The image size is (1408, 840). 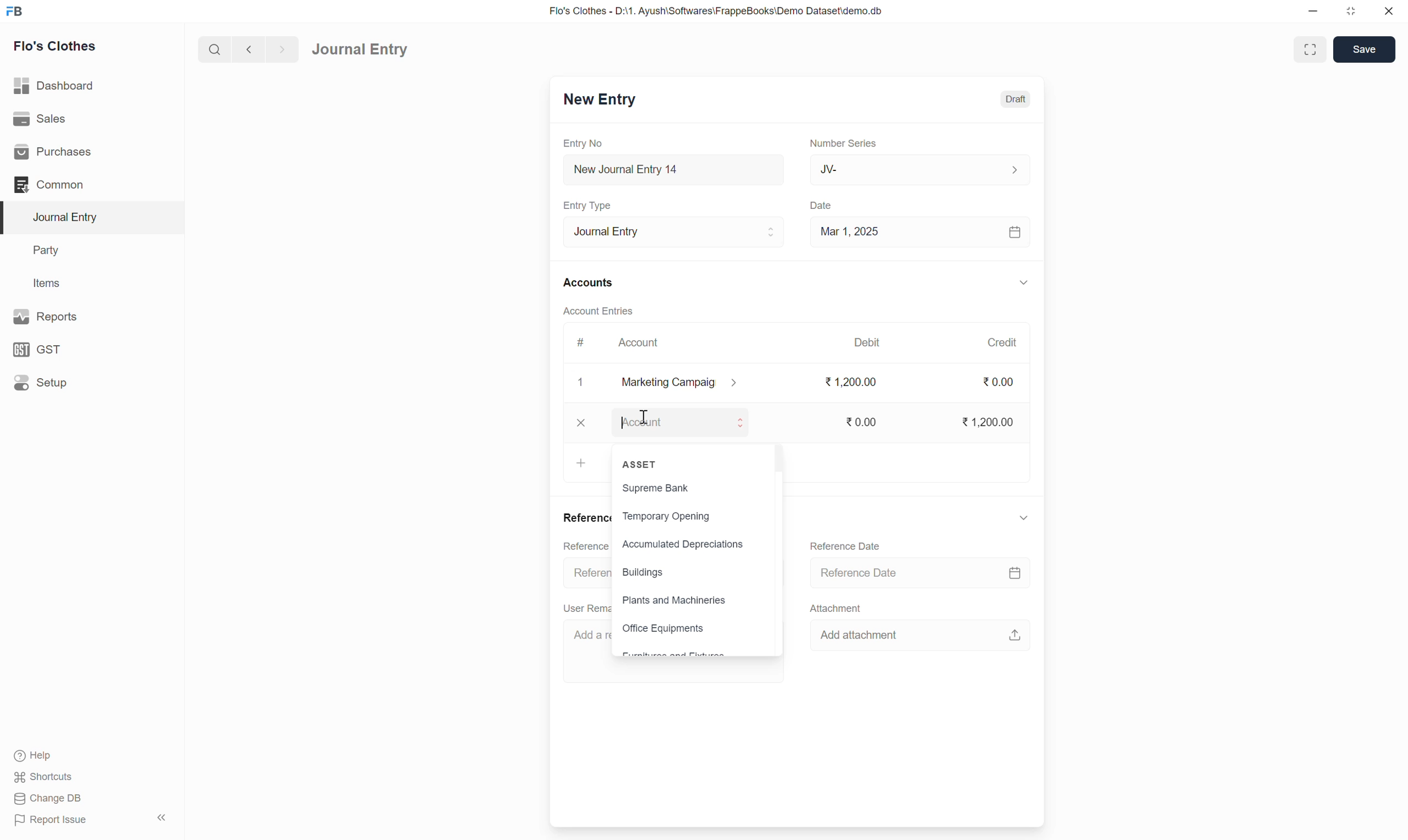 What do you see at coordinates (642, 423) in the screenshot?
I see `Account` at bounding box center [642, 423].